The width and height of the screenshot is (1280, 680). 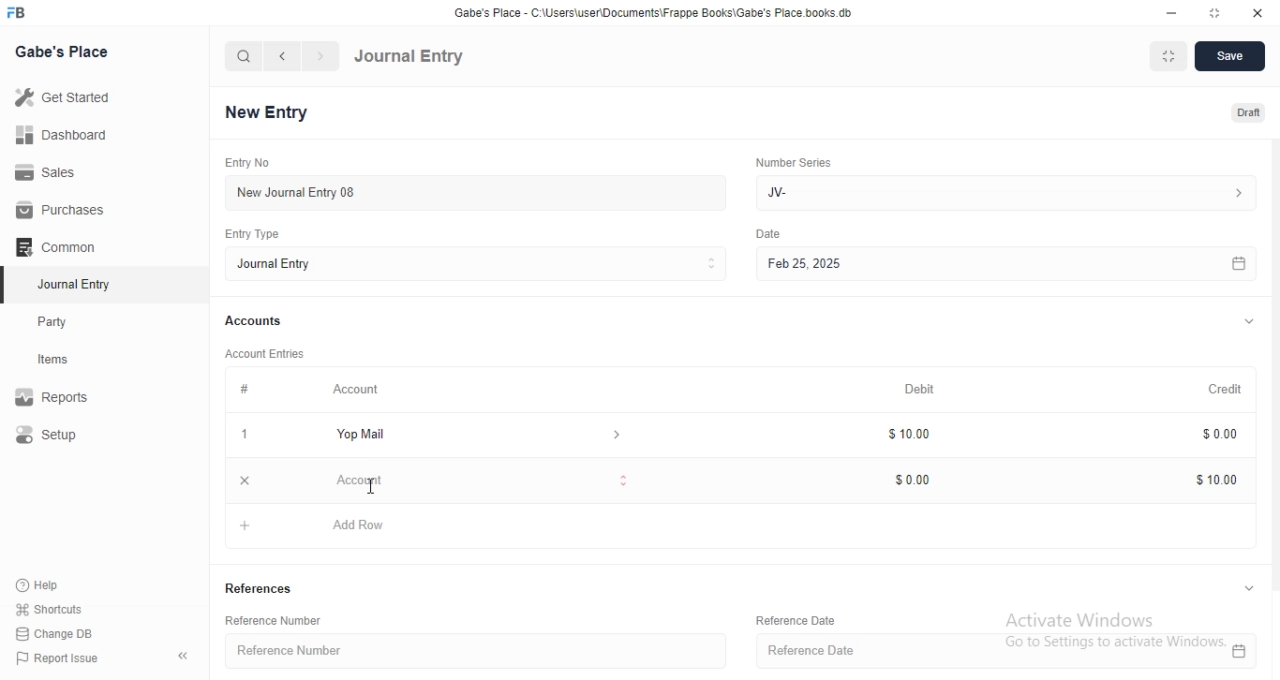 What do you see at coordinates (410, 57) in the screenshot?
I see `Journal Entry` at bounding box center [410, 57].